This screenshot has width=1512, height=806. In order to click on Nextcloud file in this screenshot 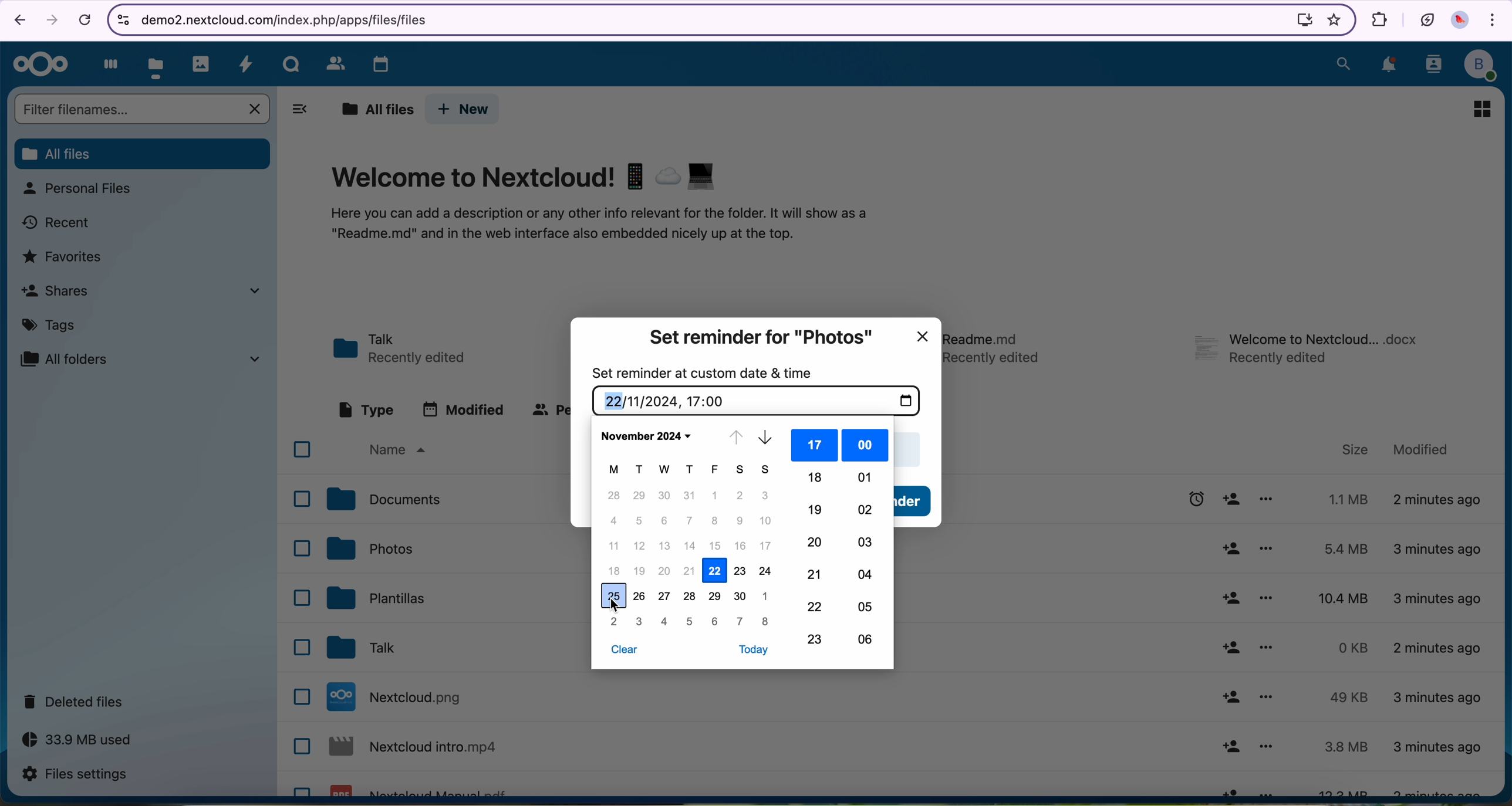, I will do `click(401, 697)`.